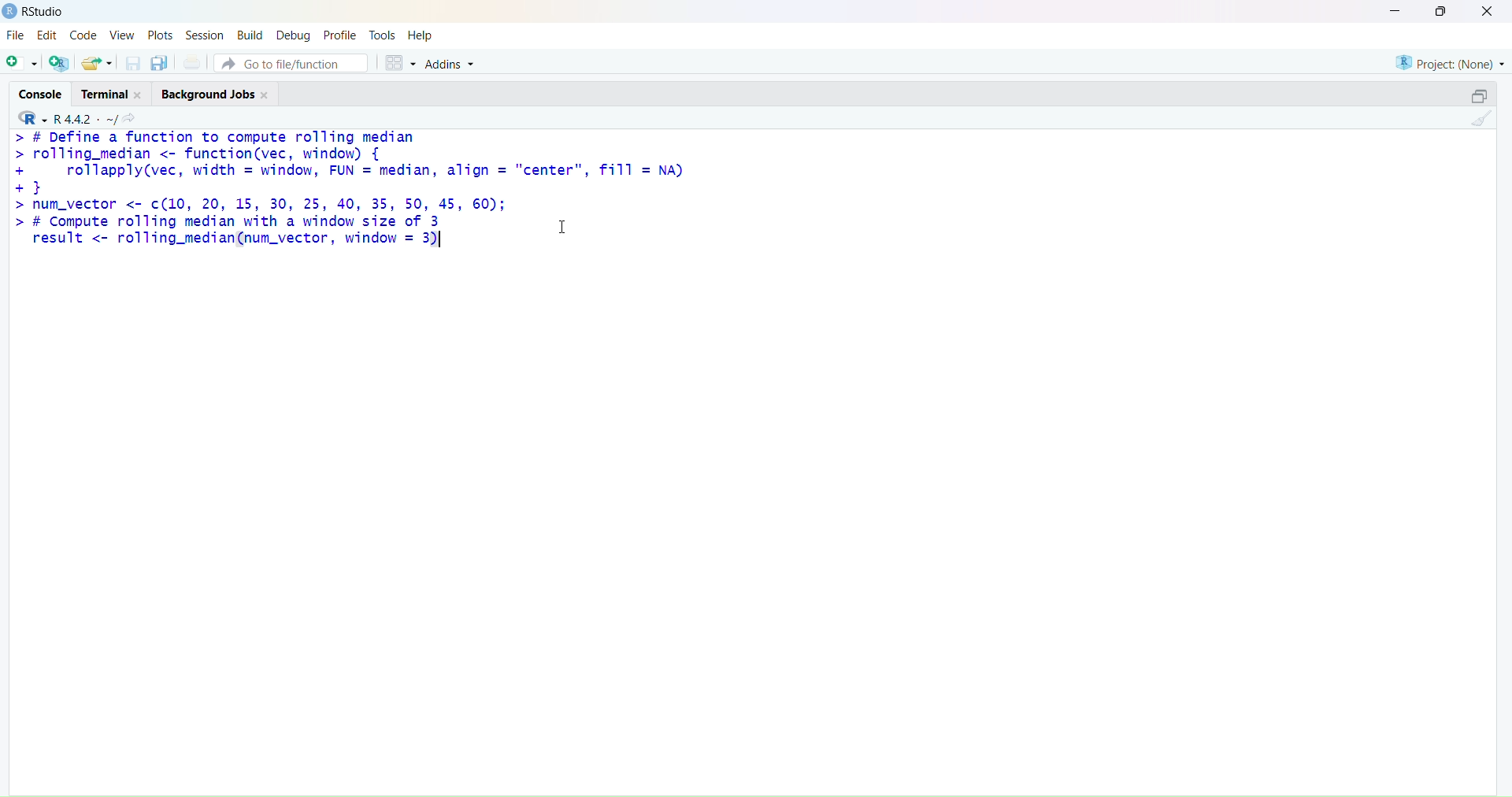  Describe the element at coordinates (85, 119) in the screenshot. I see `R 4.4.2 ~/` at that location.